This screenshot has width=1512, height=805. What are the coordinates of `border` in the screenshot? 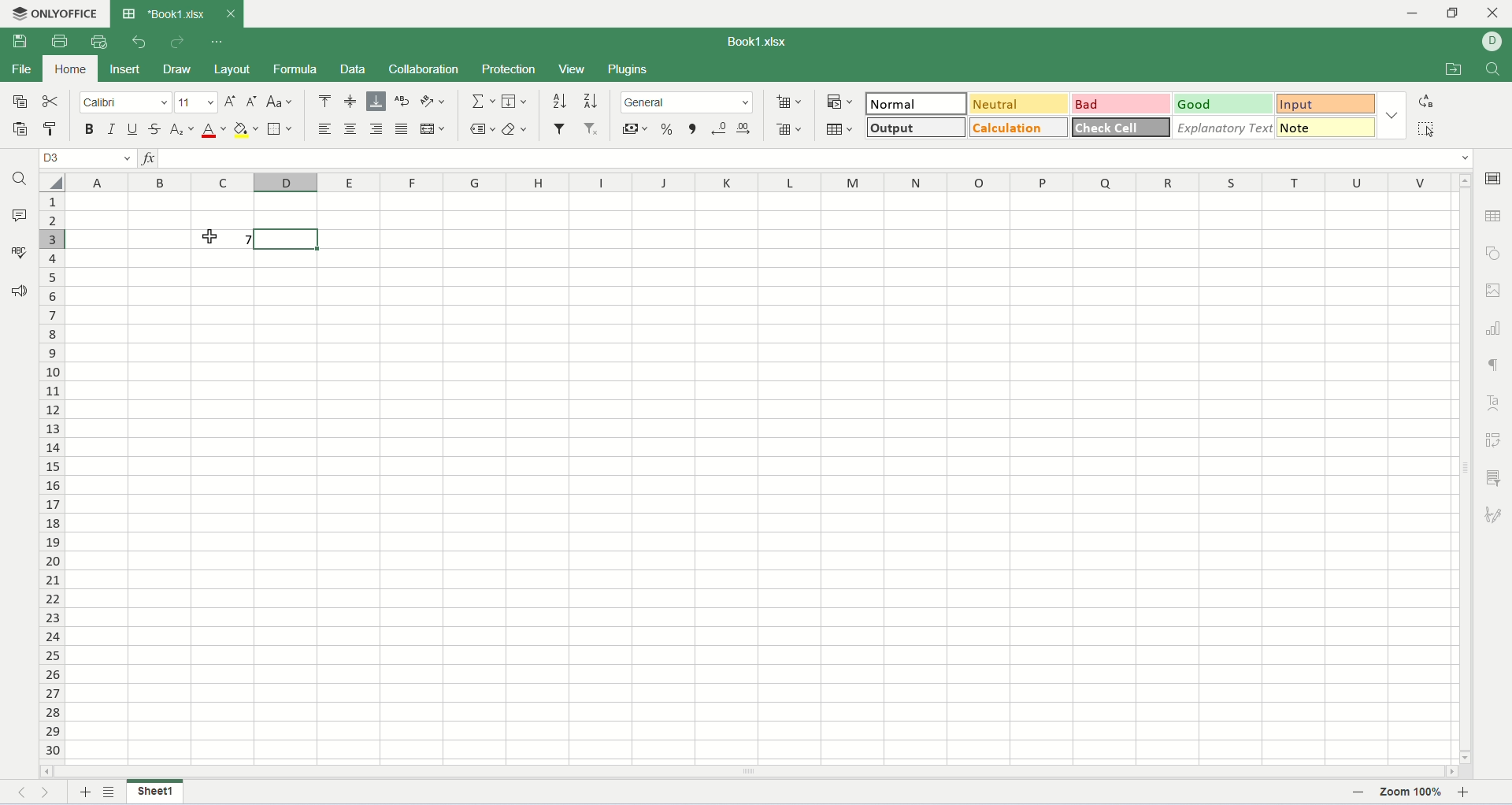 It's located at (280, 130).